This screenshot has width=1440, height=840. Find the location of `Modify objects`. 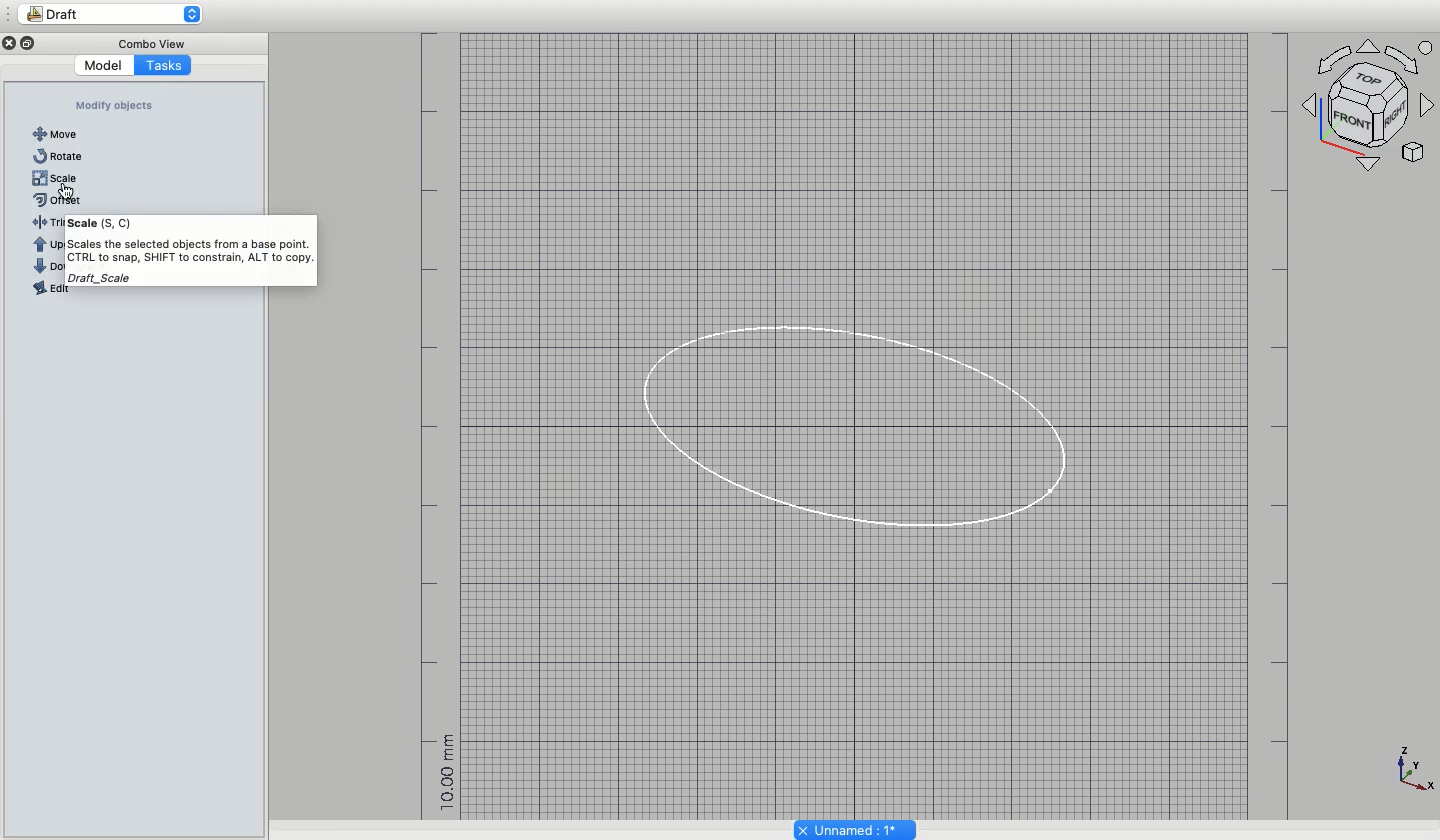

Modify objects is located at coordinates (119, 107).